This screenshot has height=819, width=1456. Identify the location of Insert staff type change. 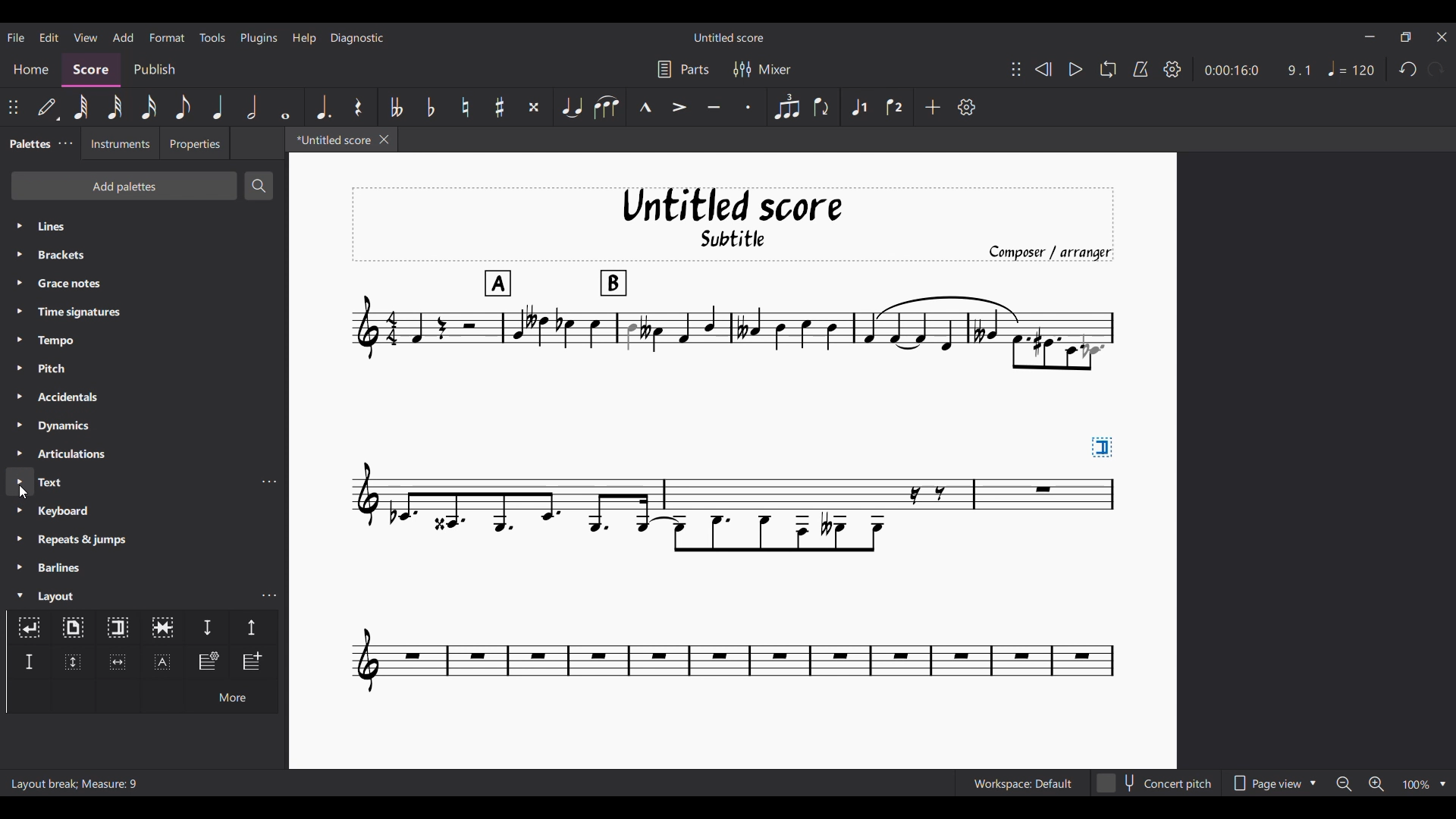
(207, 661).